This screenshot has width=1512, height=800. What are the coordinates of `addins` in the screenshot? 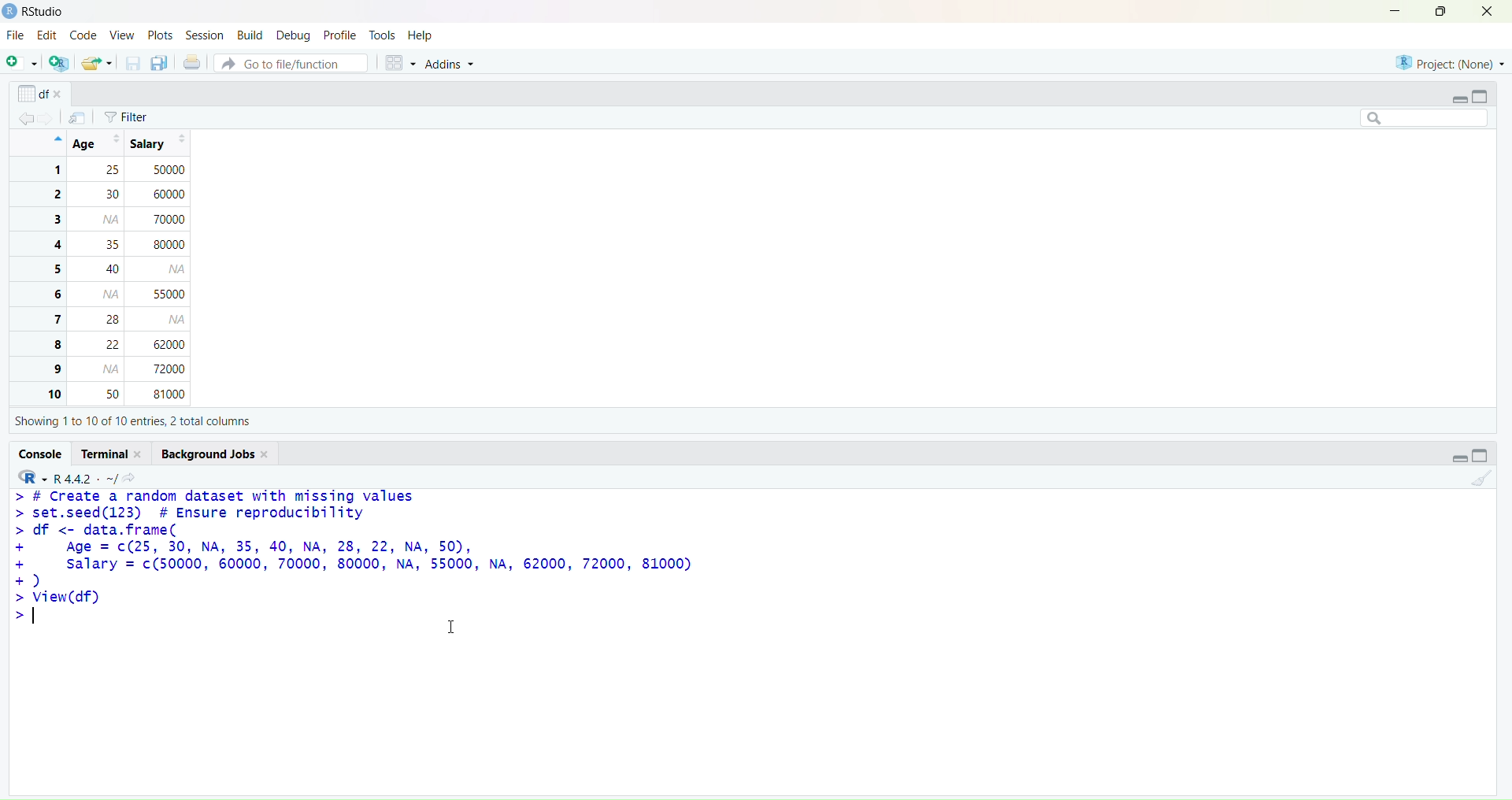 It's located at (454, 67).